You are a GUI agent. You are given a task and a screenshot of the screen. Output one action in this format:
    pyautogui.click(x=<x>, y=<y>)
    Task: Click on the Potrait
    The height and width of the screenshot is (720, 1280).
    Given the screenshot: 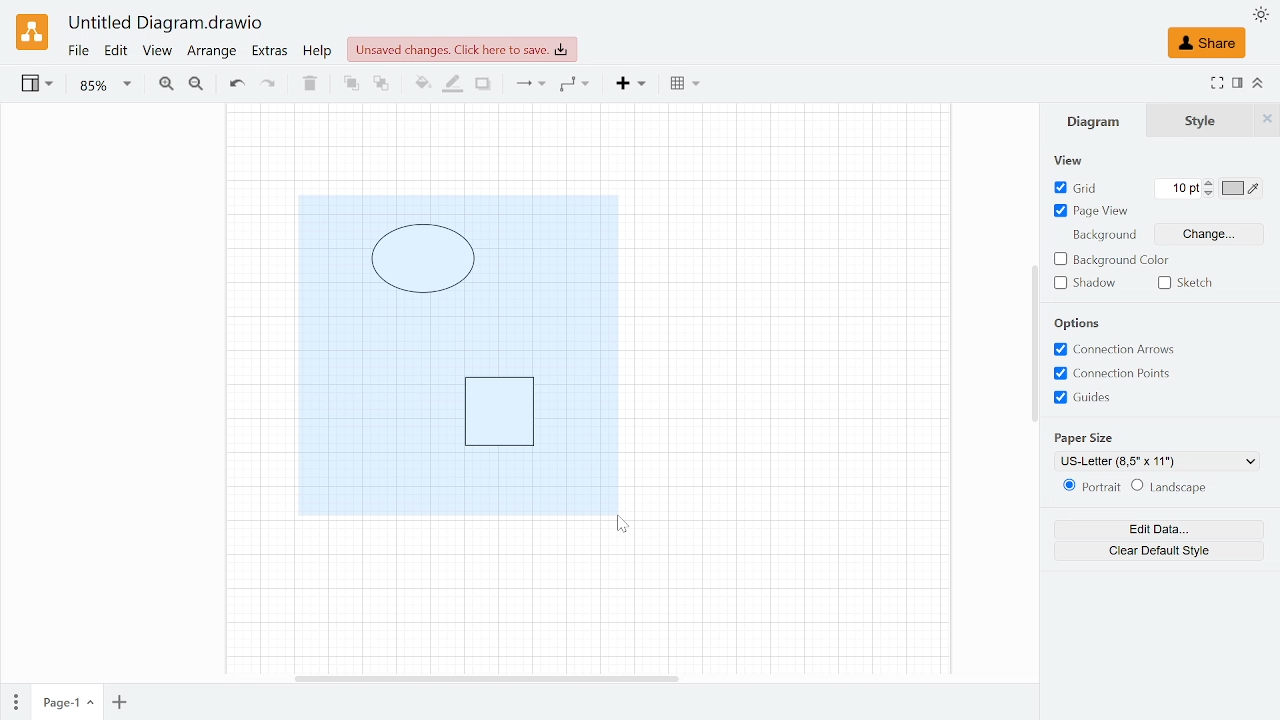 What is the action you would take?
    pyautogui.click(x=1088, y=488)
    